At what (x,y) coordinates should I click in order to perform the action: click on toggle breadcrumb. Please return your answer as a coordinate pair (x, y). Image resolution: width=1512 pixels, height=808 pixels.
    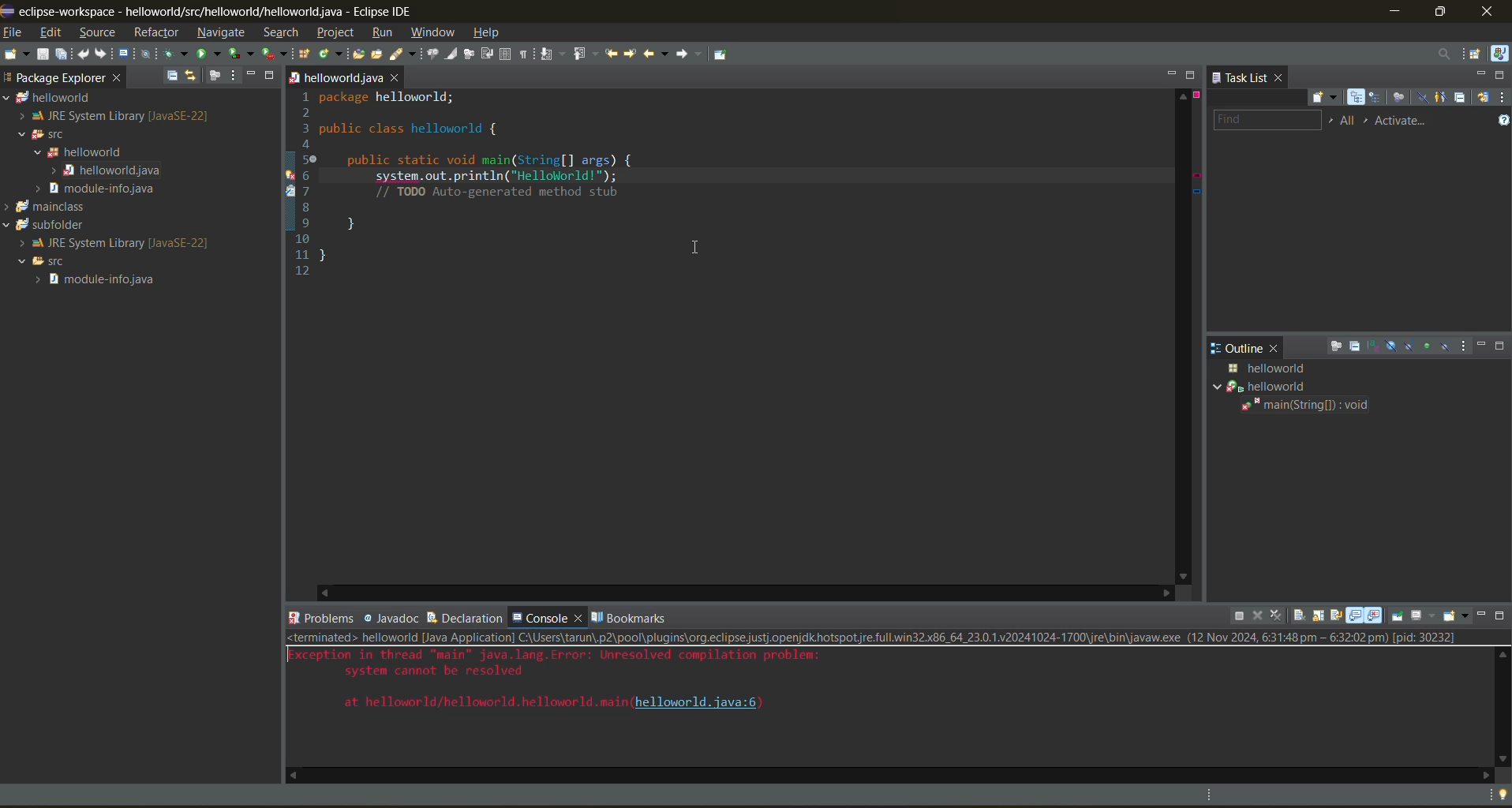
    Looking at the image, I should click on (434, 54).